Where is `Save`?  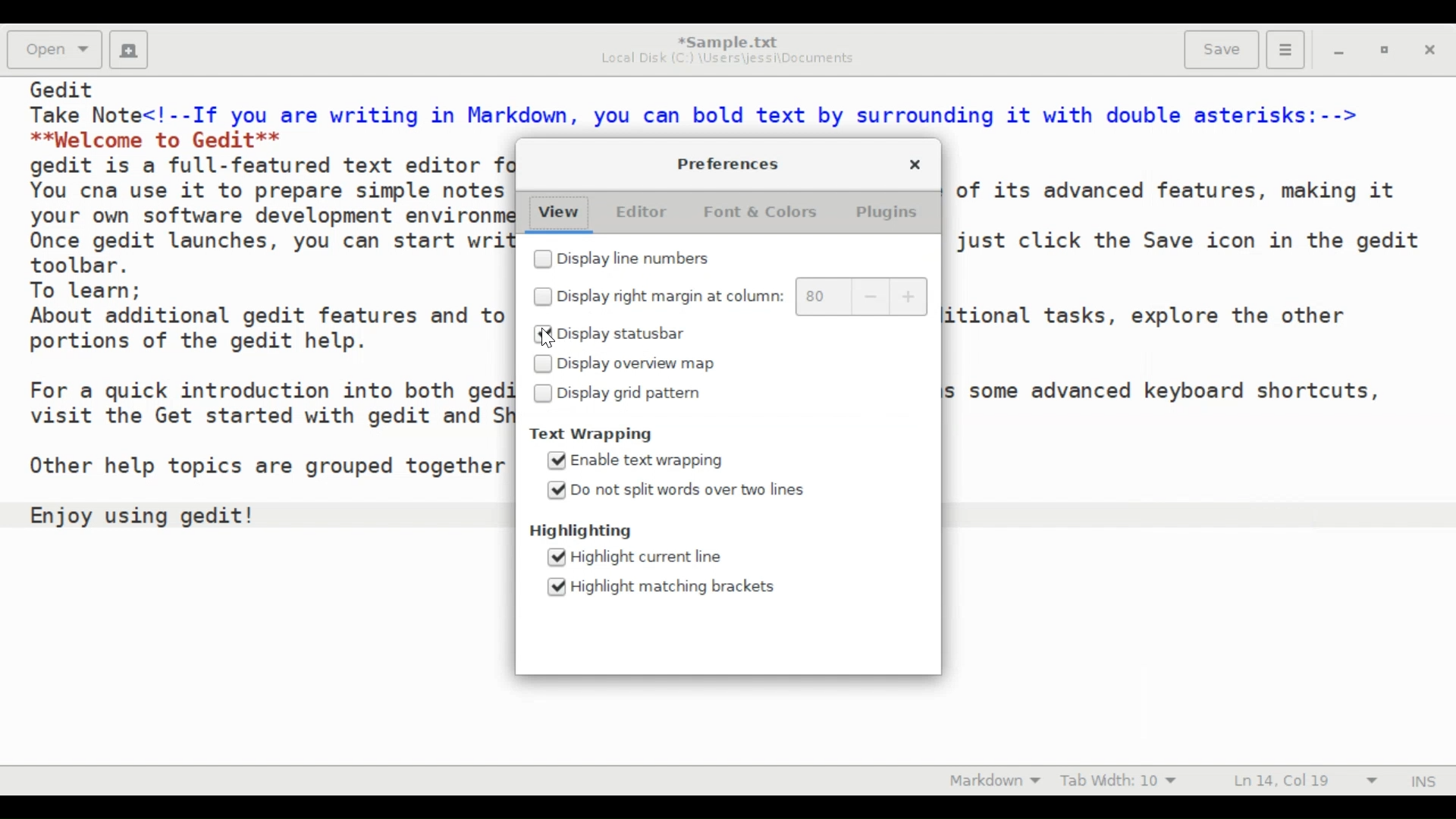 Save is located at coordinates (1221, 50).